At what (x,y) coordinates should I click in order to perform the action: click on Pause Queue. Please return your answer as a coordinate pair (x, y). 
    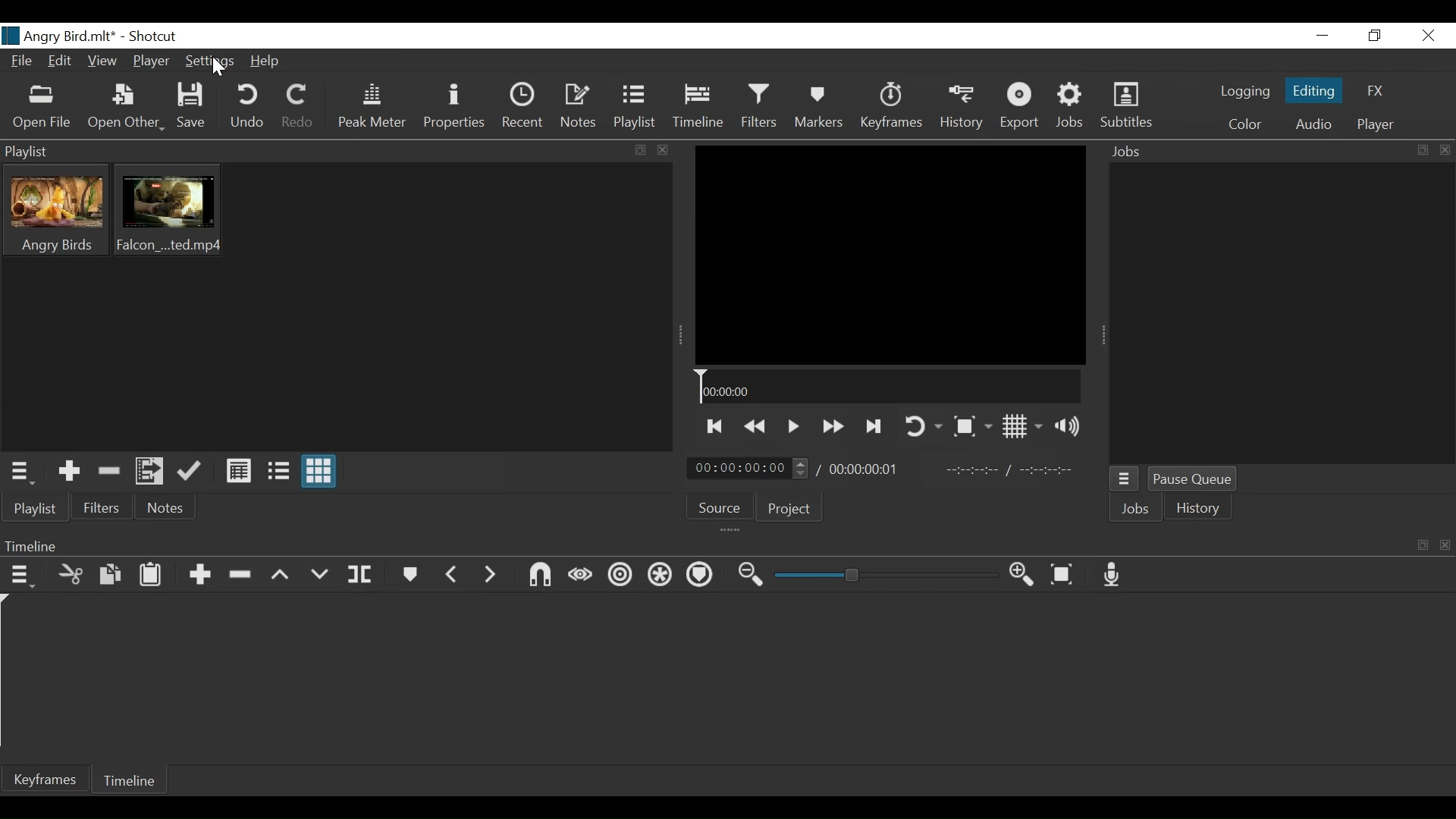
    Looking at the image, I should click on (1194, 480).